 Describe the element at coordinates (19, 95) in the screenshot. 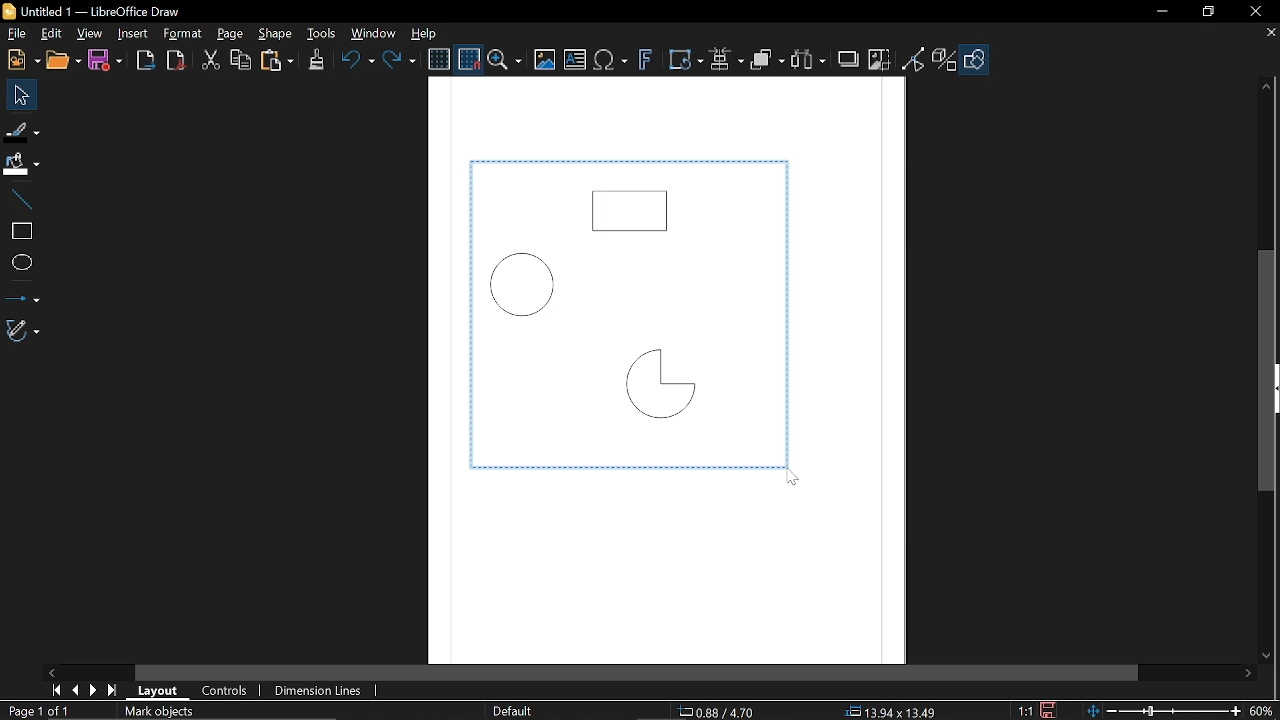

I see `Select` at that location.